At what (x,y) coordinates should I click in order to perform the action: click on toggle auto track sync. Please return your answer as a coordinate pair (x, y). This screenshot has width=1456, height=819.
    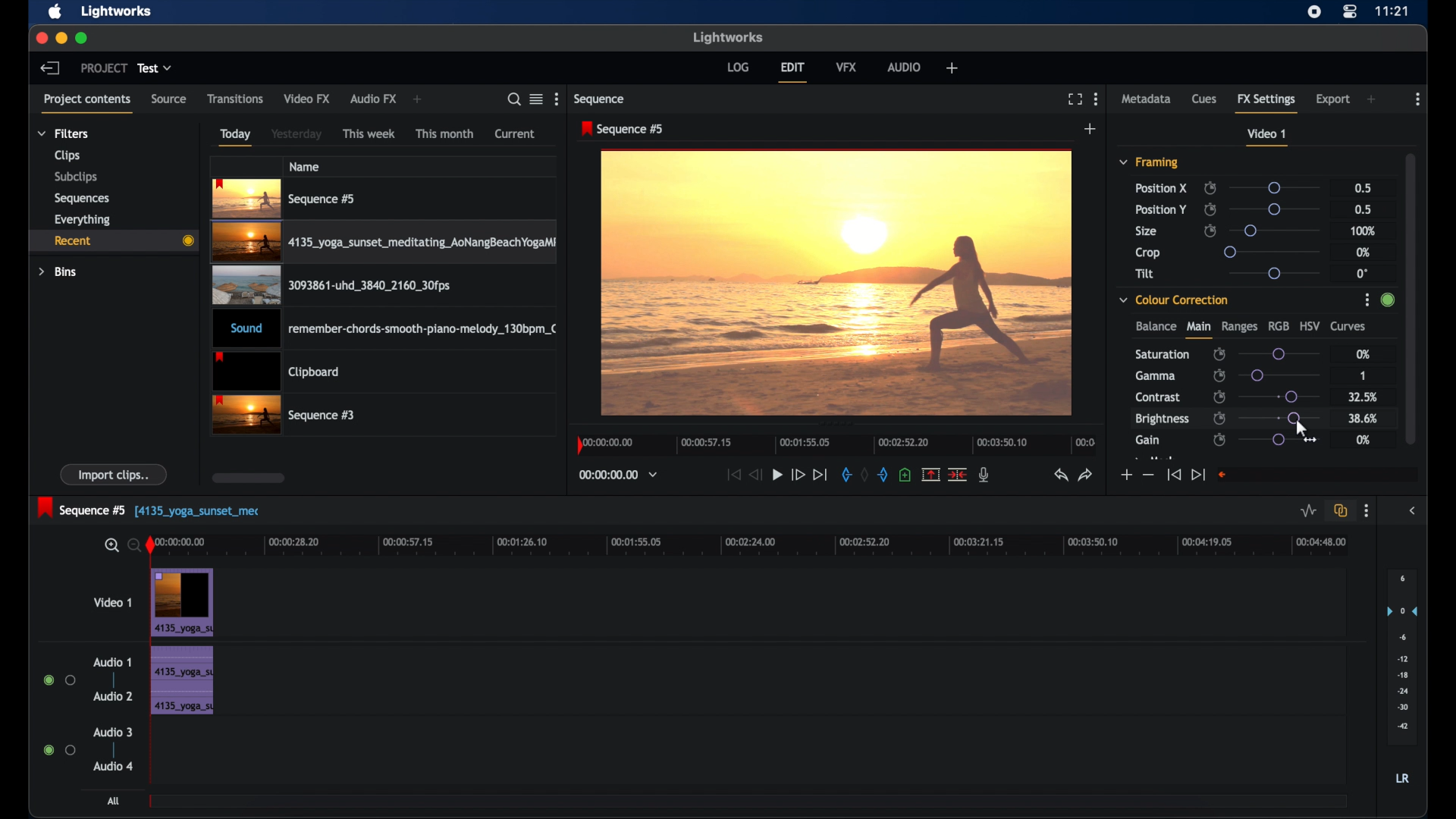
    Looking at the image, I should click on (1341, 511).